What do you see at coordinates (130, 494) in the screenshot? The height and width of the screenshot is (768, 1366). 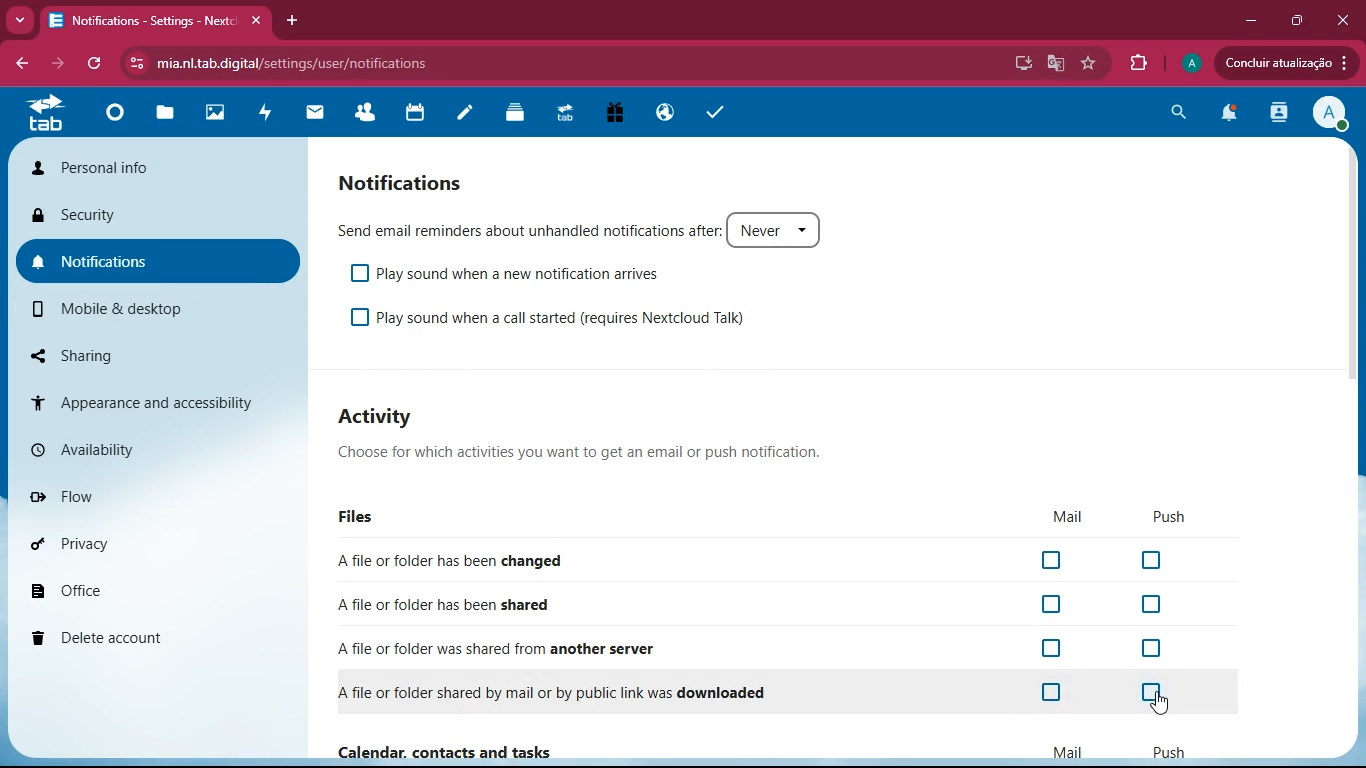 I see `flow` at bounding box center [130, 494].